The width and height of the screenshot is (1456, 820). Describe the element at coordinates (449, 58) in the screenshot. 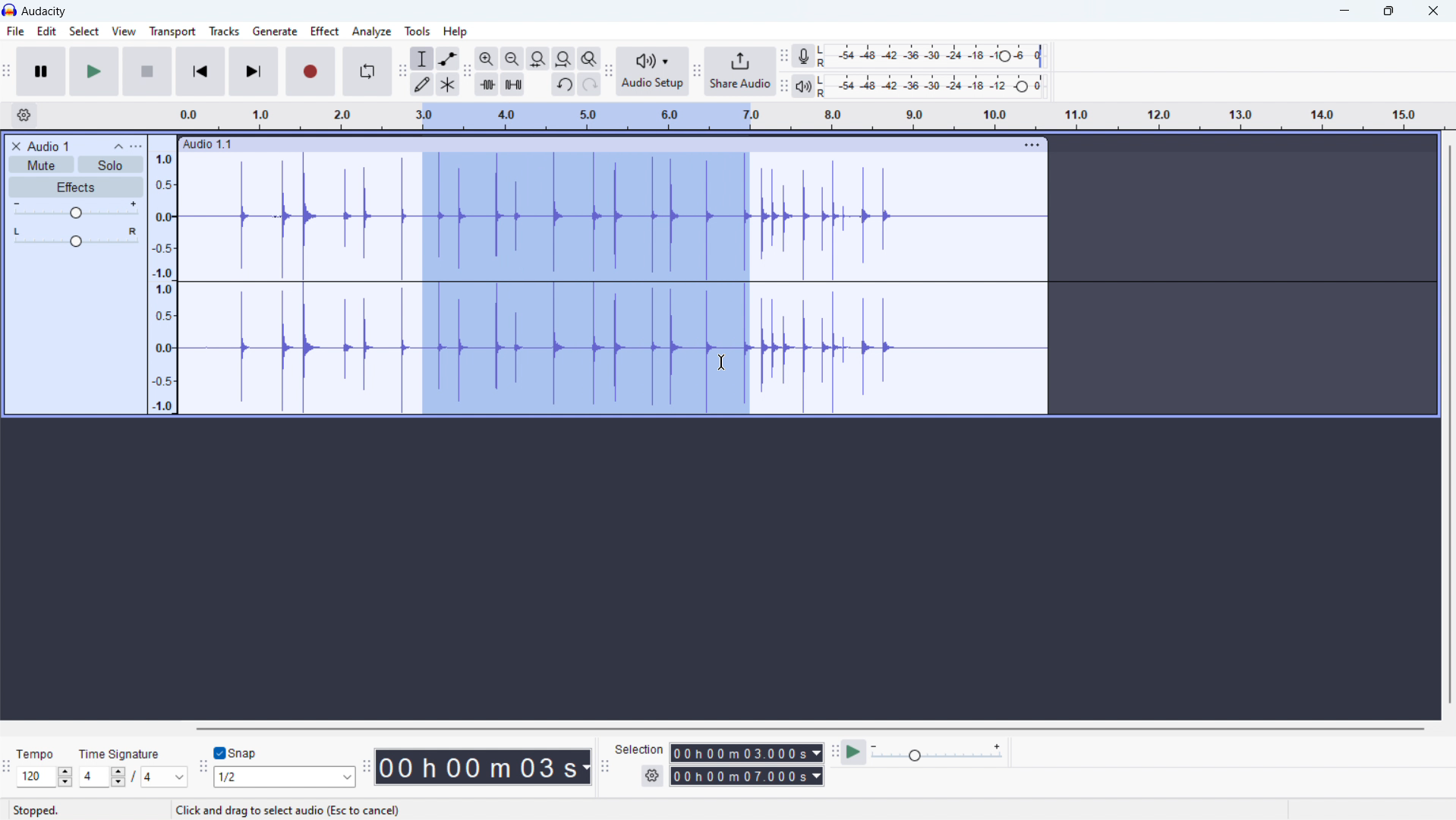

I see `envelop tool` at that location.